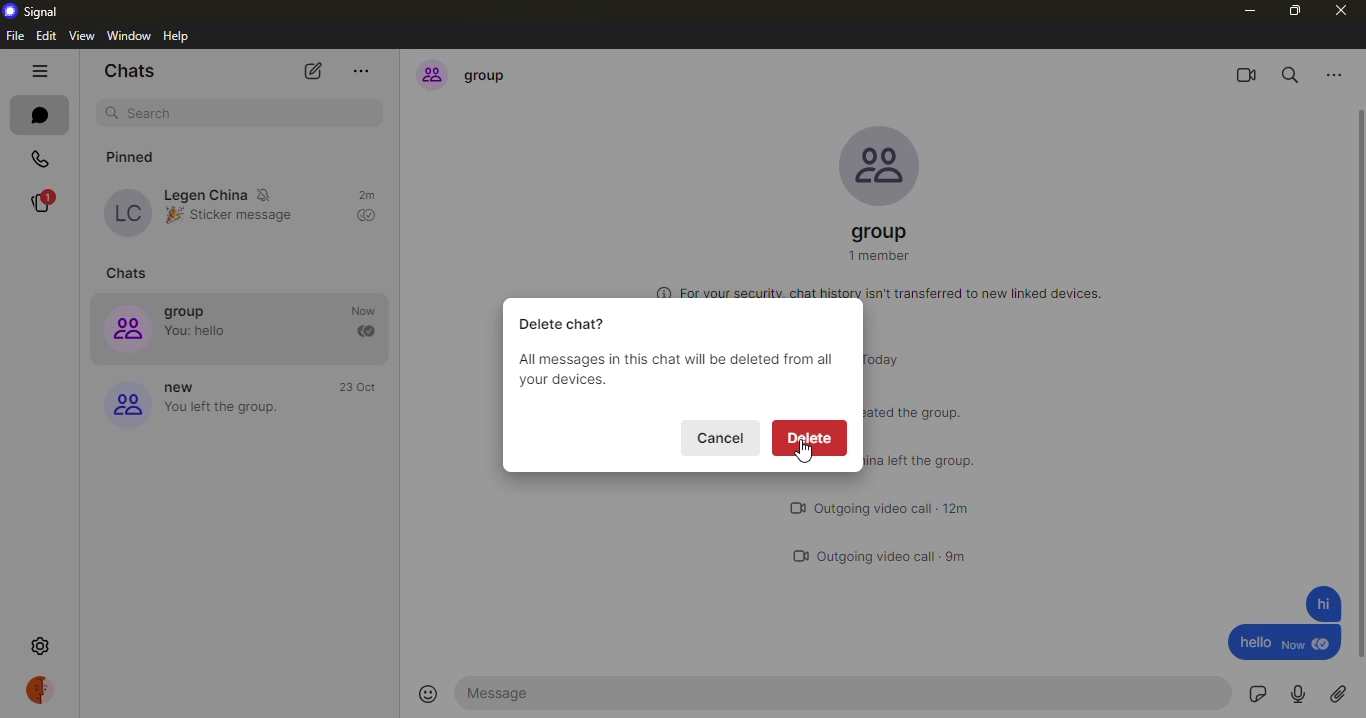  I want to click on status message, so click(927, 465).